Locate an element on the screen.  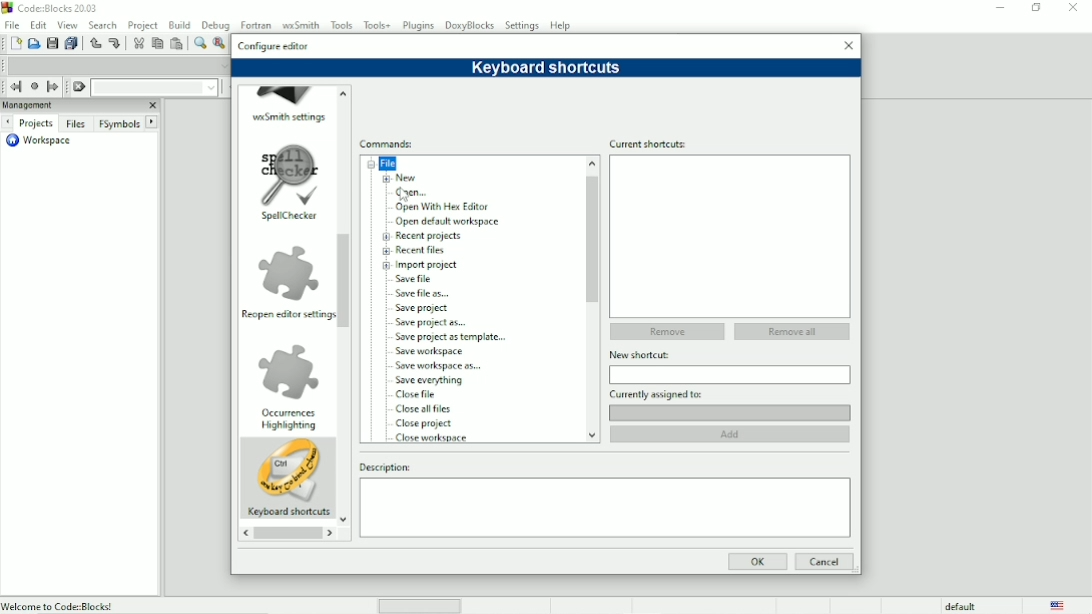
Next is located at coordinates (152, 121).